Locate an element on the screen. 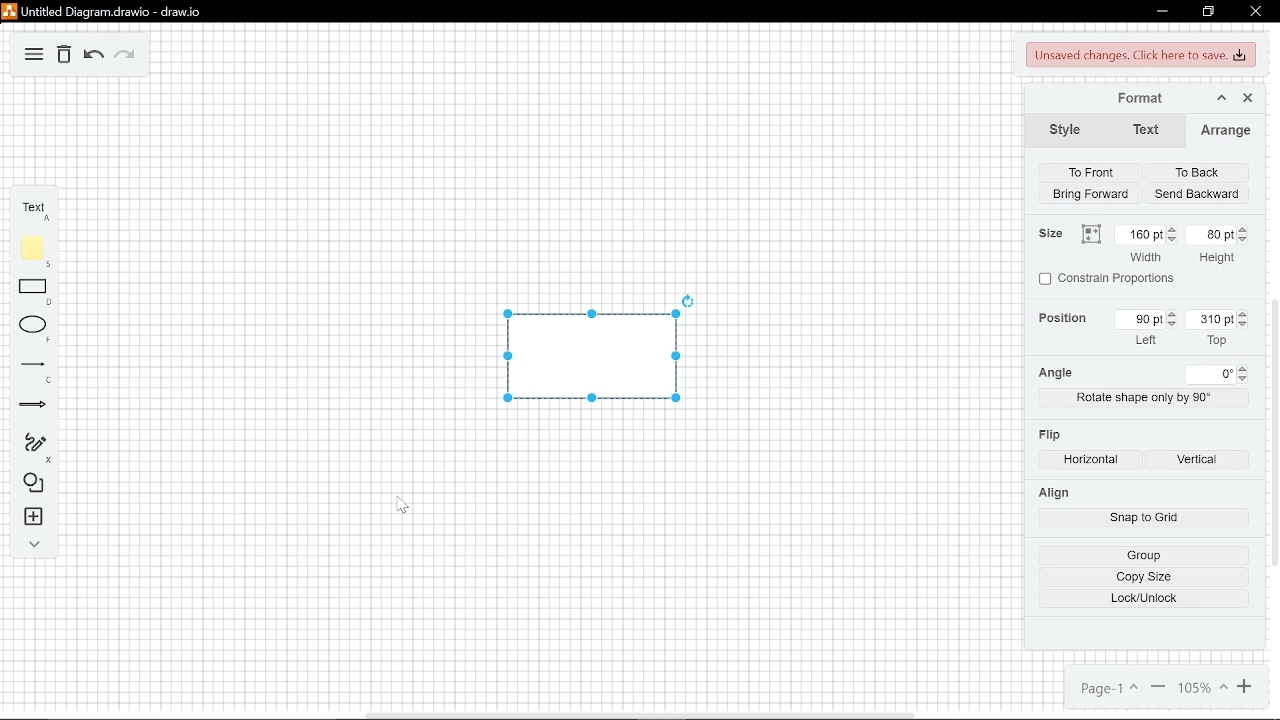 The width and height of the screenshot is (1280, 720). increase top position is located at coordinates (1243, 314).